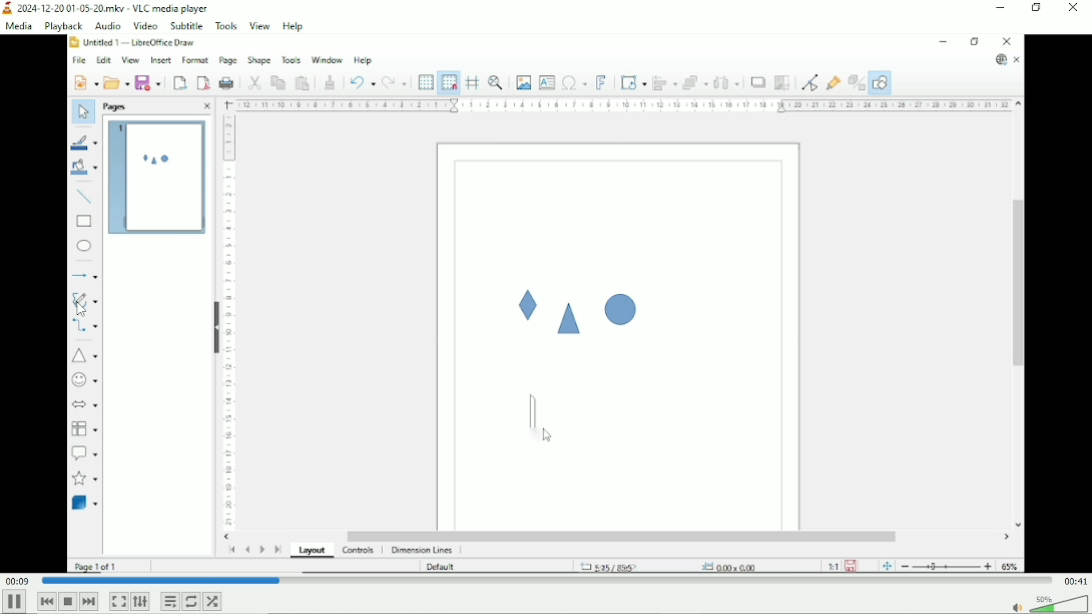 This screenshot has width=1092, height=614. What do you see at coordinates (227, 26) in the screenshot?
I see `Tools` at bounding box center [227, 26].